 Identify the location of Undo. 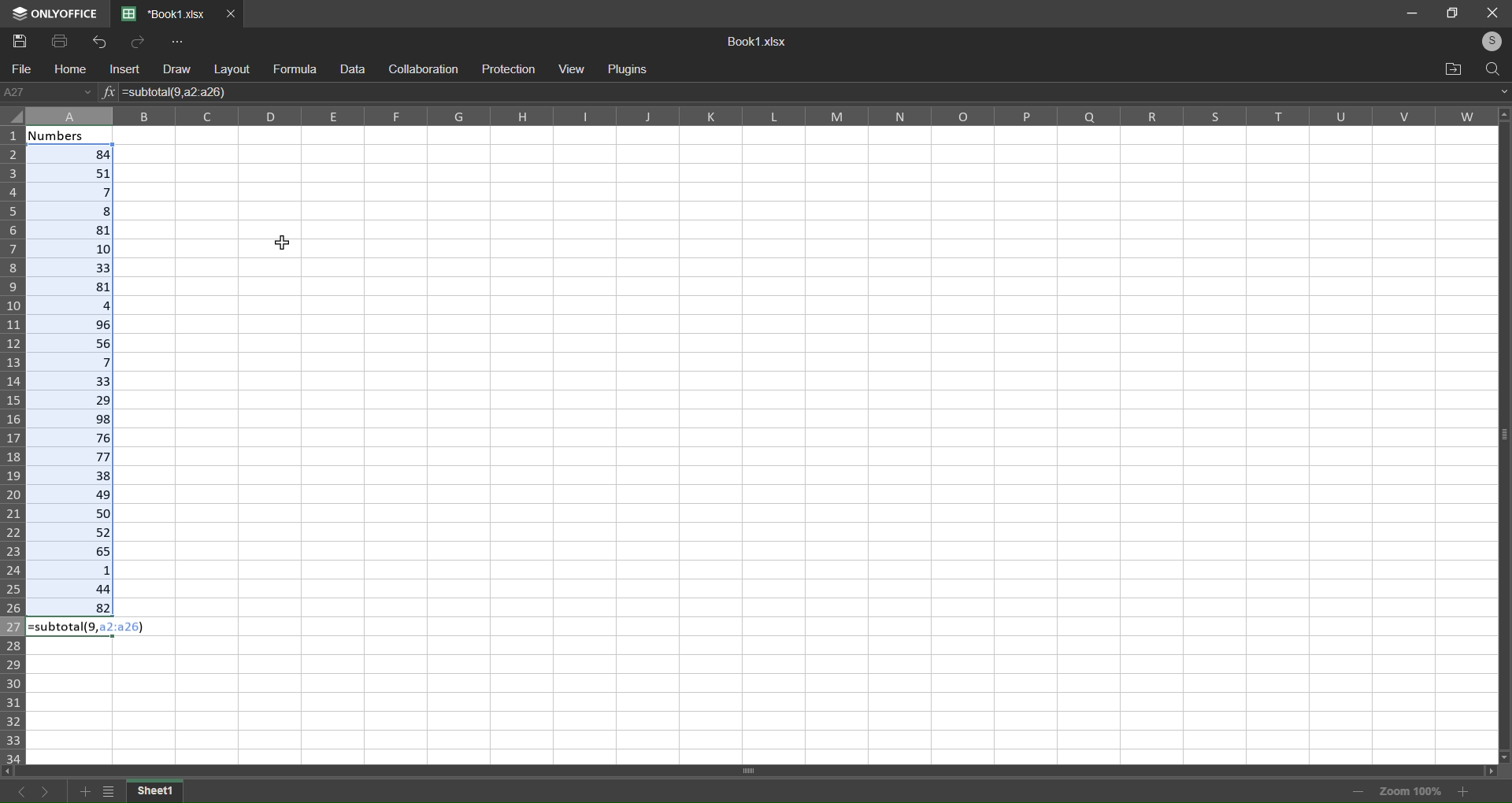
(98, 43).